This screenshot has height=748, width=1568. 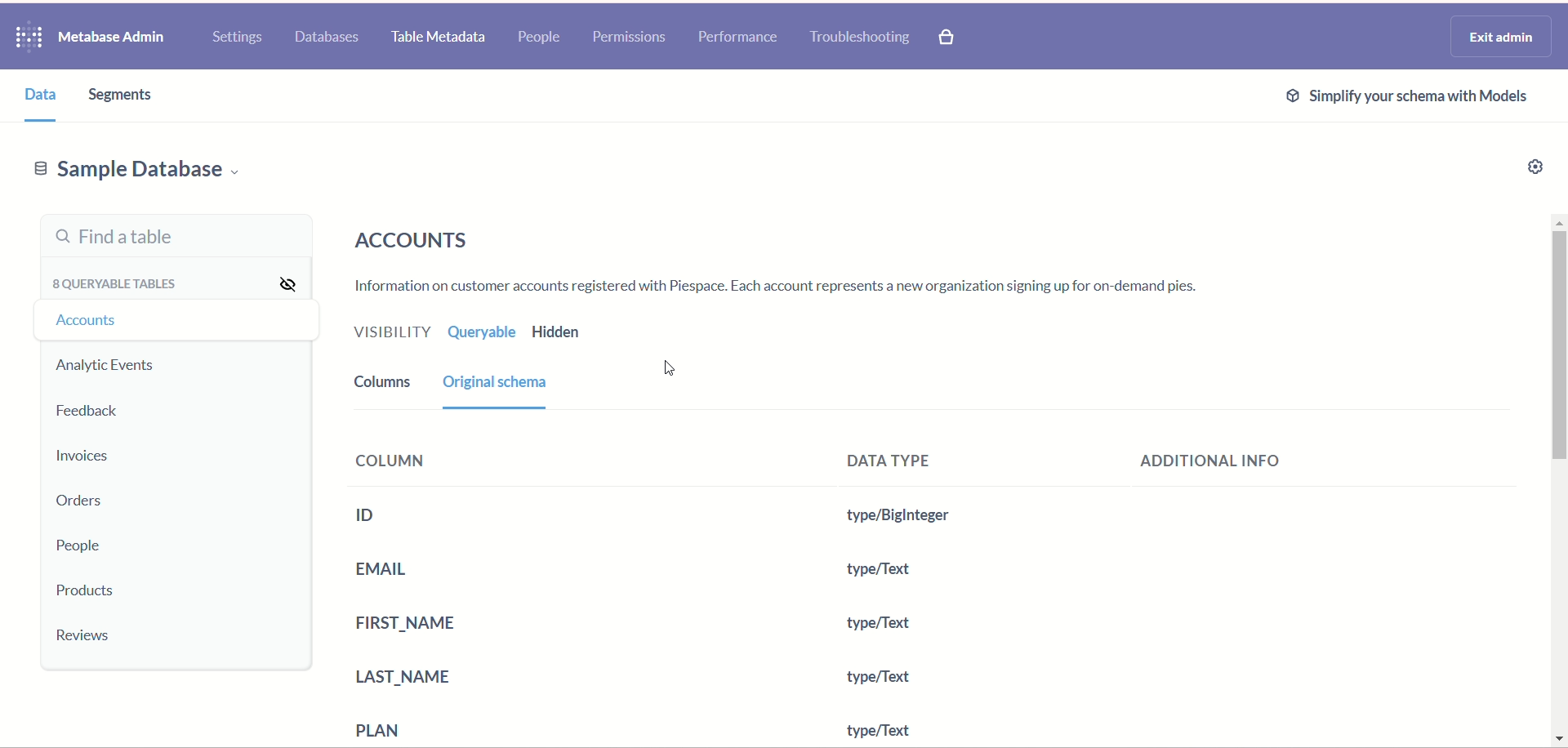 What do you see at coordinates (633, 37) in the screenshot?
I see `permissions` at bounding box center [633, 37].